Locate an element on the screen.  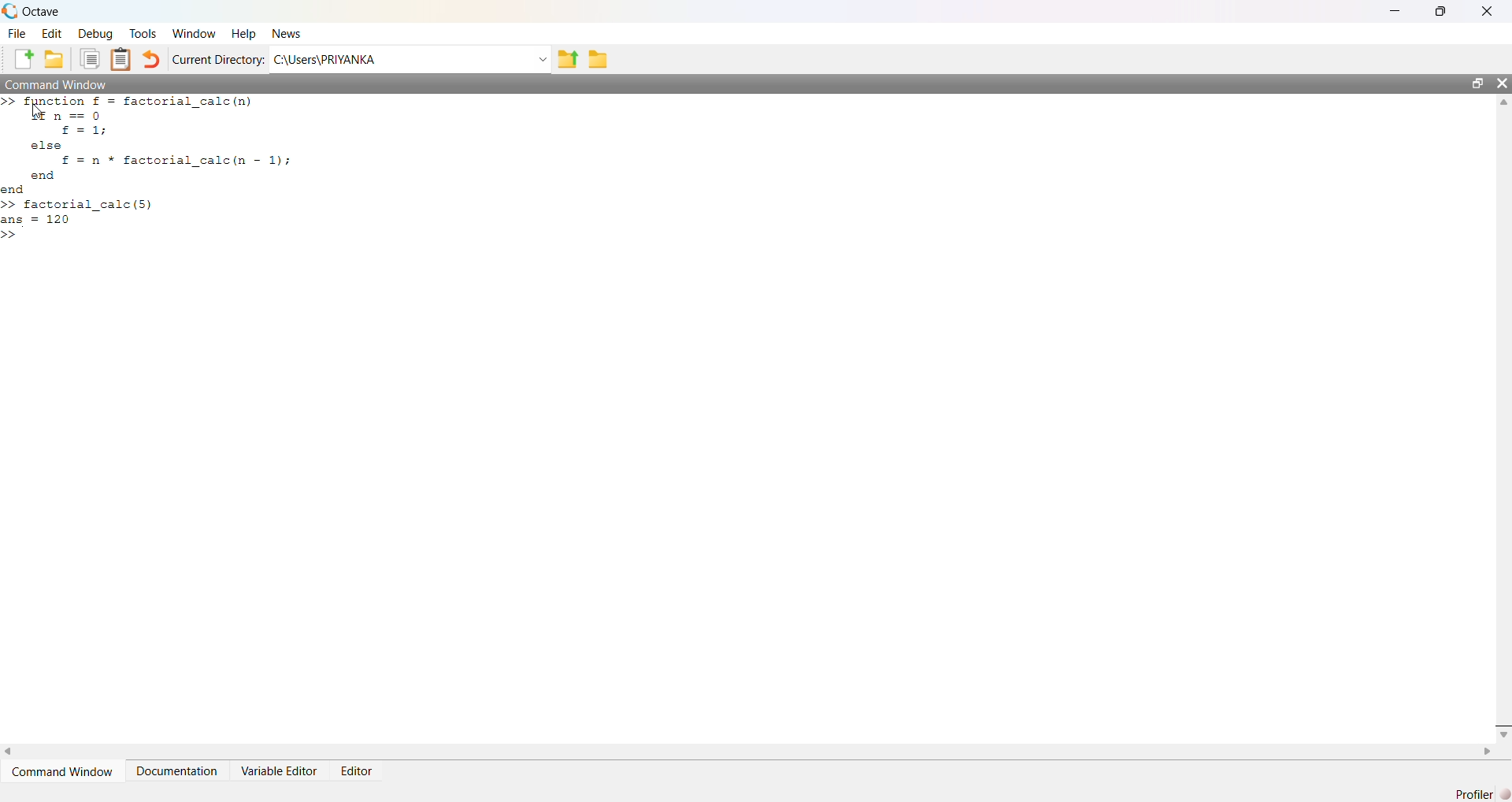
edit is located at coordinates (54, 33).